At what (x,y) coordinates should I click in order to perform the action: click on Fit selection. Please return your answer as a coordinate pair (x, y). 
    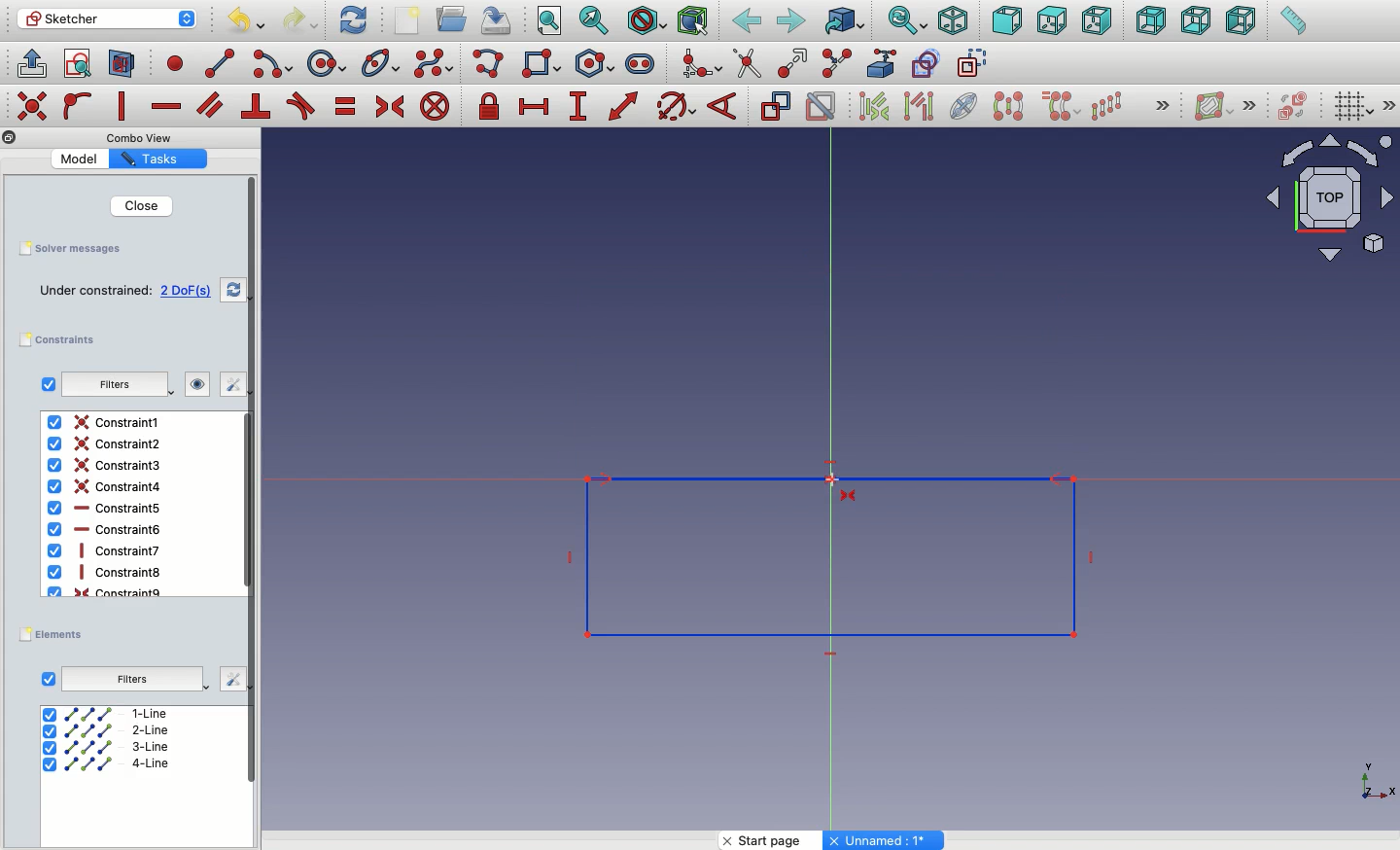
    Looking at the image, I should click on (594, 20).